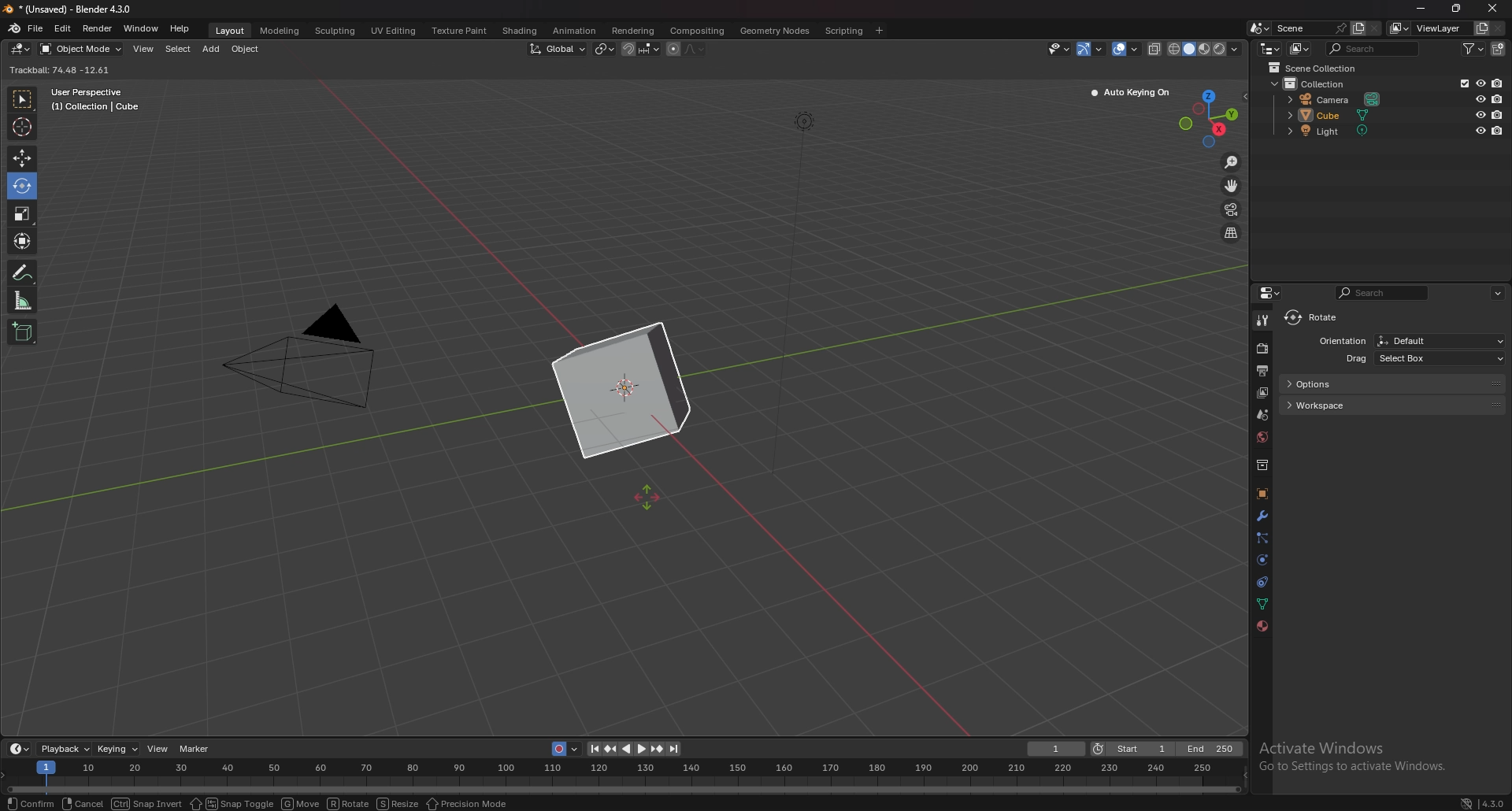 This screenshot has width=1512, height=811. I want to click on view layer, so click(1262, 393).